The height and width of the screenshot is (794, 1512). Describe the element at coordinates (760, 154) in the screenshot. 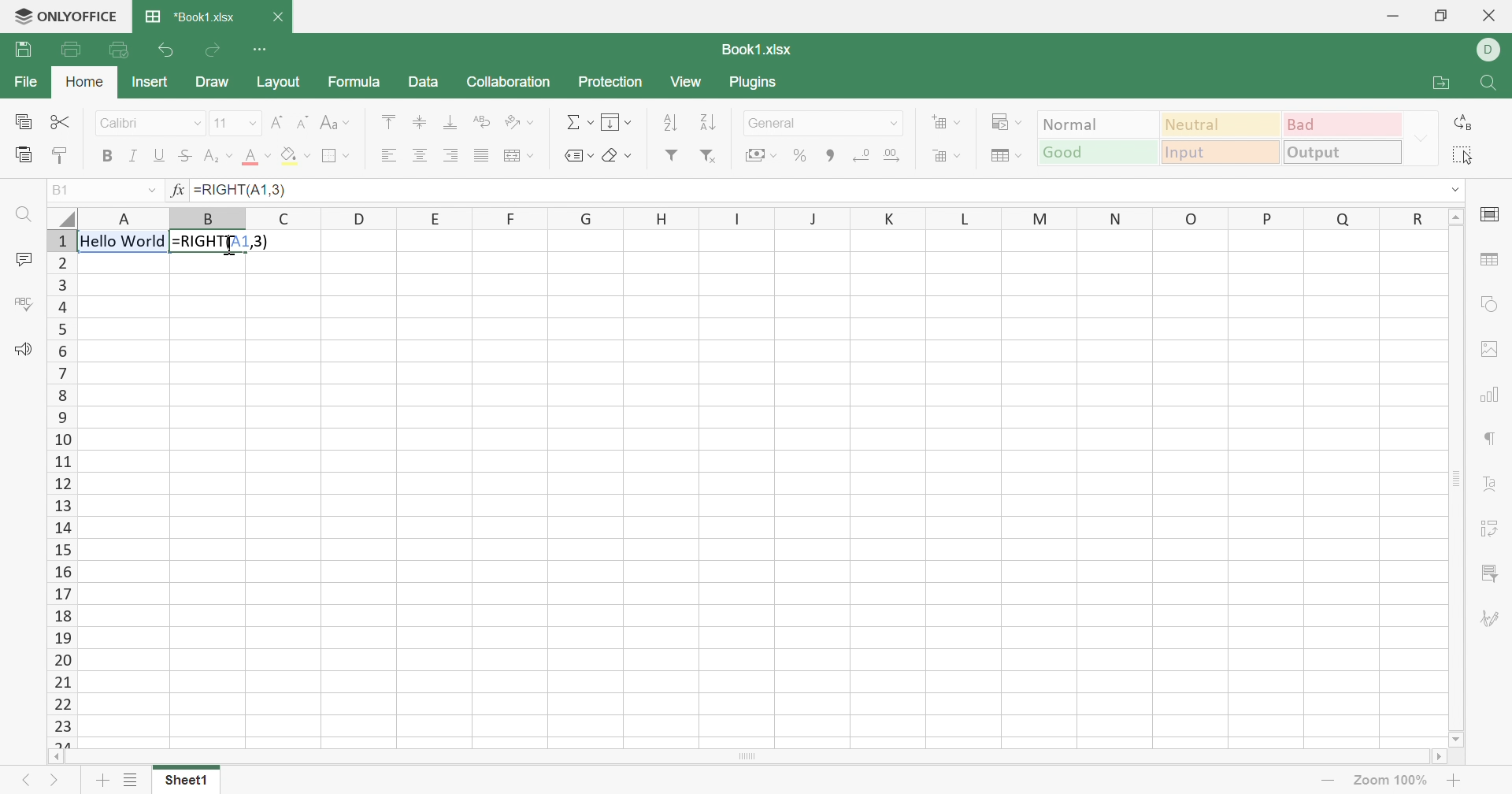

I see `Accounting style` at that location.